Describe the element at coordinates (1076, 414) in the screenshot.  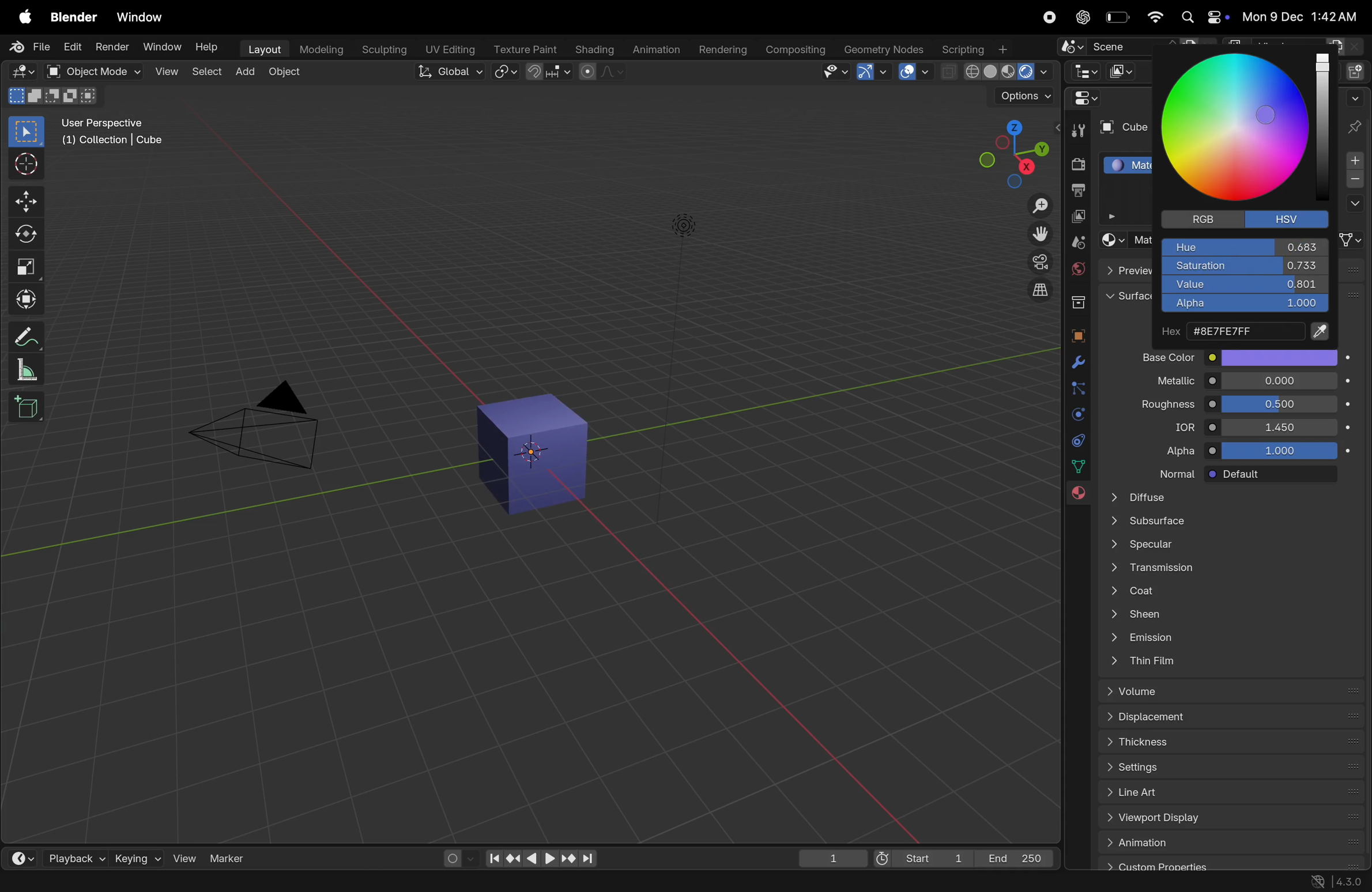
I see `physics` at that location.